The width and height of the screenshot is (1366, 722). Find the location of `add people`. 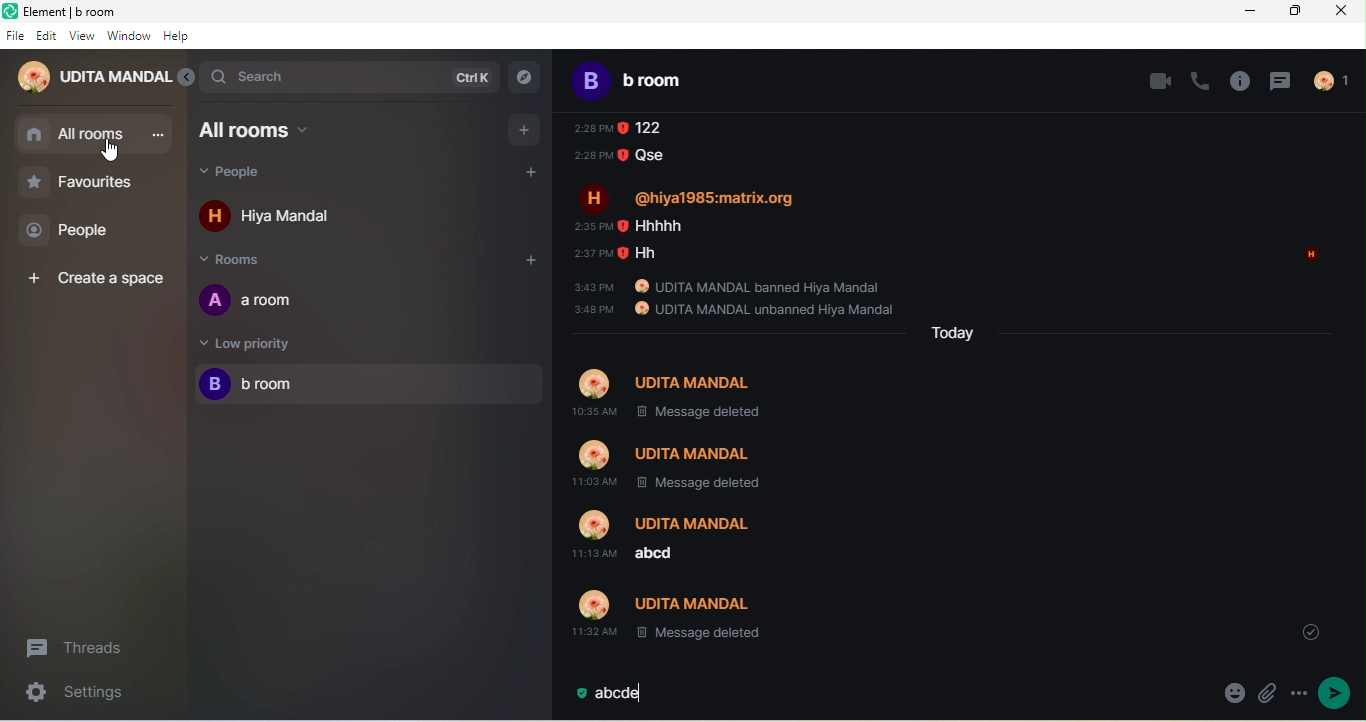

add people is located at coordinates (523, 170).